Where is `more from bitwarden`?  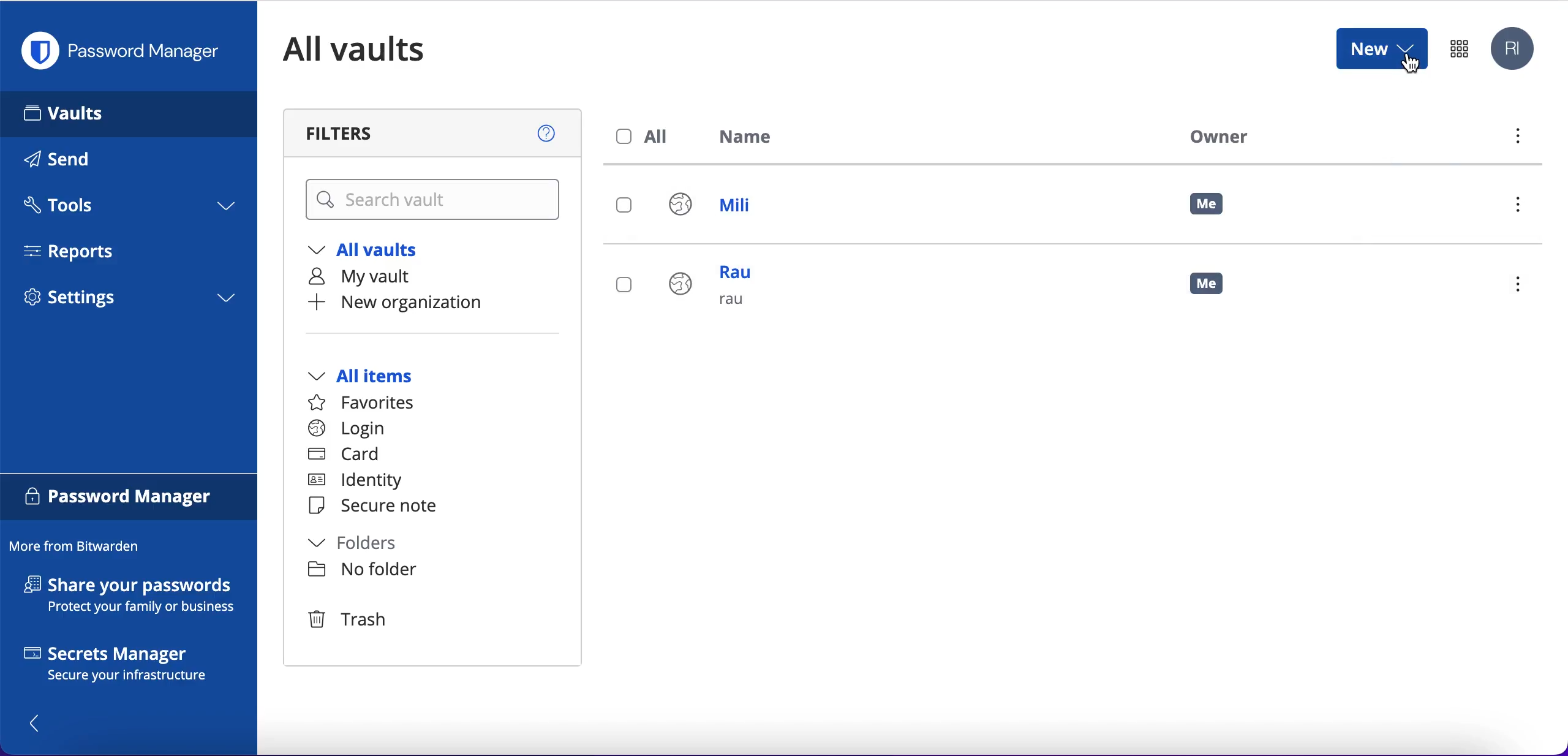 more from bitwarden is located at coordinates (80, 547).